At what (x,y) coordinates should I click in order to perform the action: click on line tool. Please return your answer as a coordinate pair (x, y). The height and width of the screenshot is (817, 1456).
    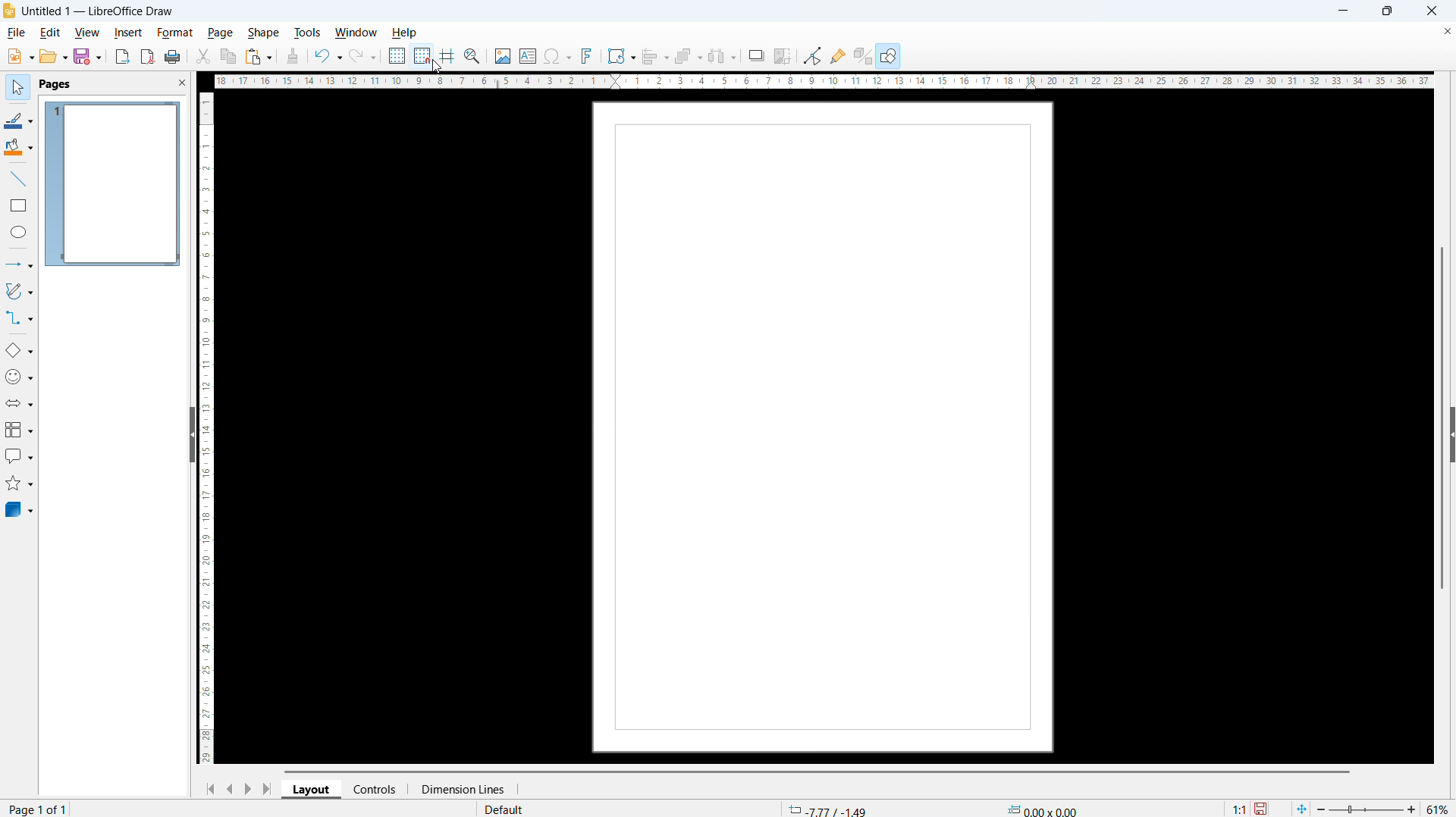
    Looking at the image, I should click on (20, 178).